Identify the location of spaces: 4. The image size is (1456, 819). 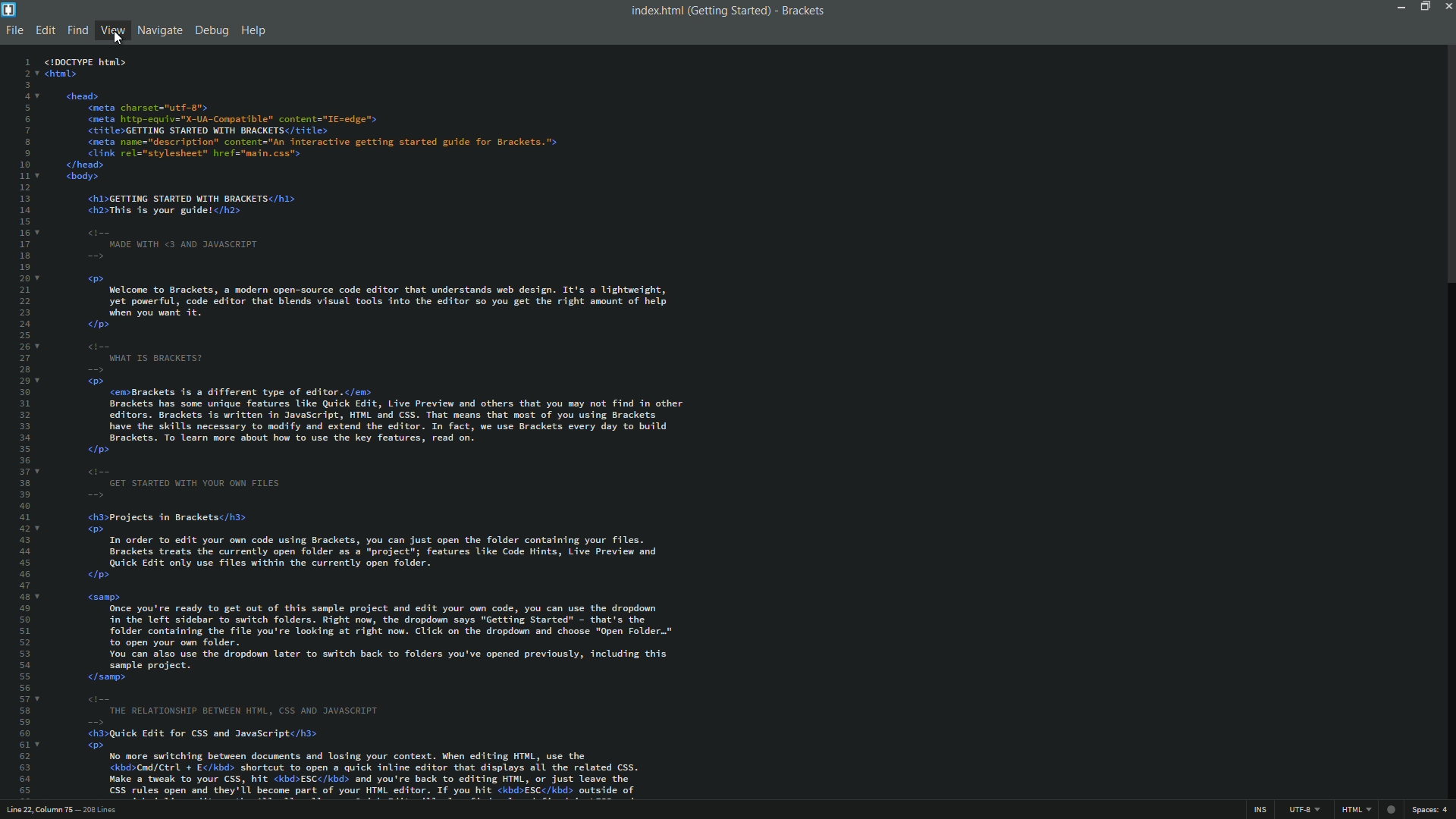
(1430, 810).